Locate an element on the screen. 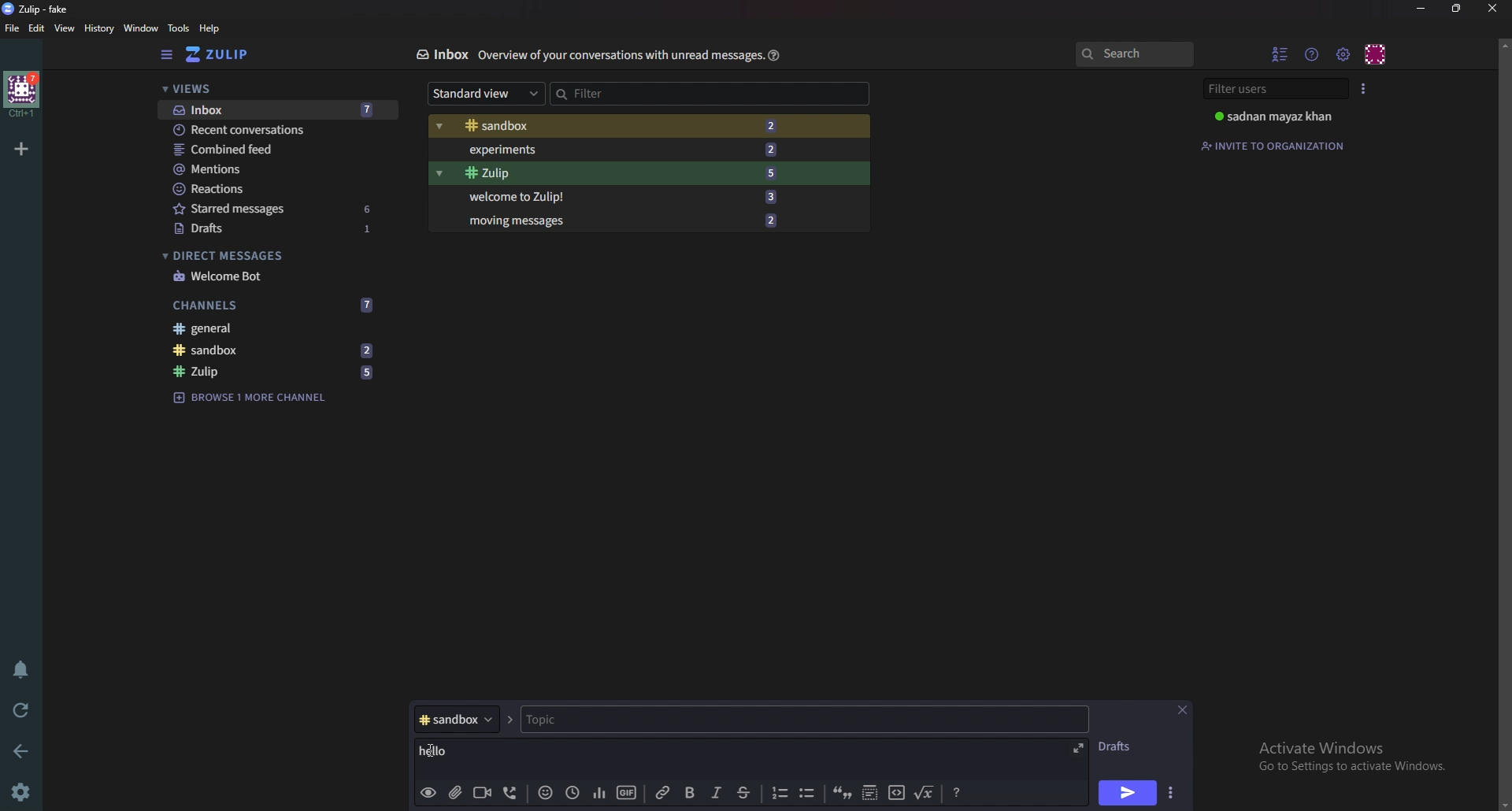 The image size is (1512, 811). Number list is located at coordinates (780, 792).